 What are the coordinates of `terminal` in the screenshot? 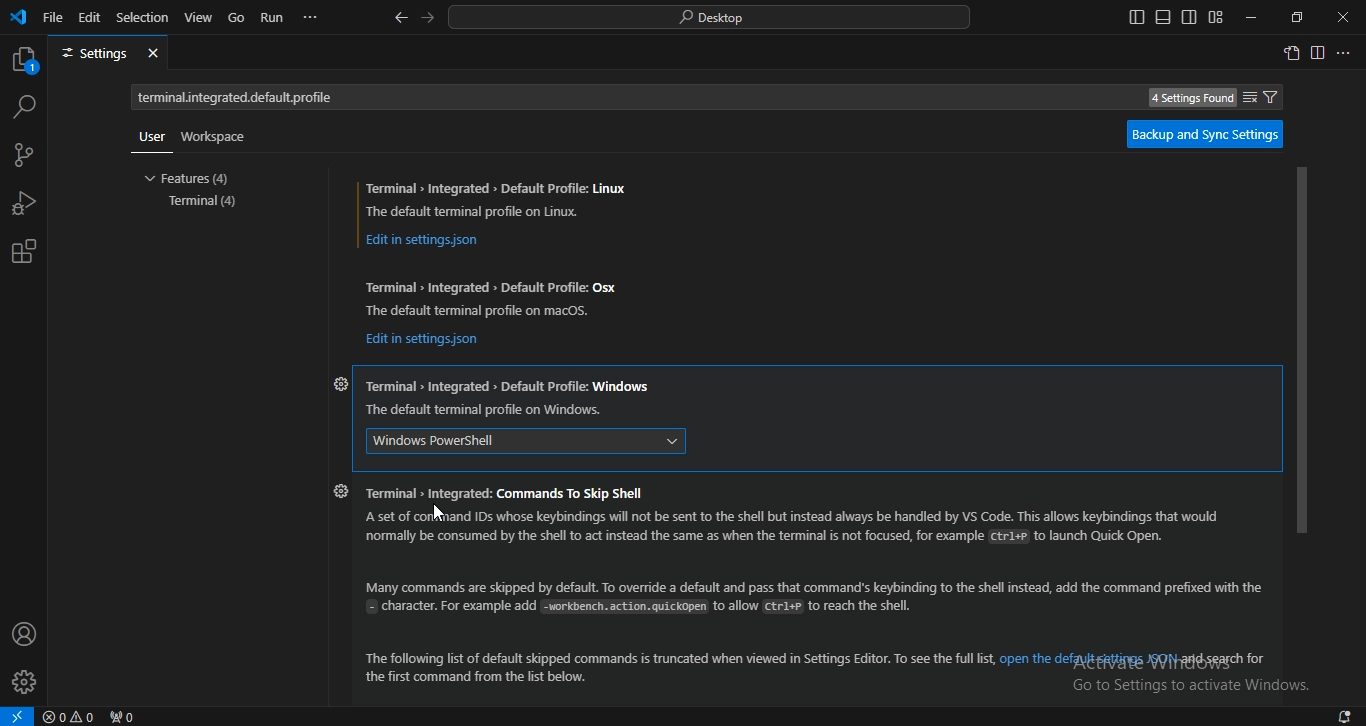 It's located at (207, 201).